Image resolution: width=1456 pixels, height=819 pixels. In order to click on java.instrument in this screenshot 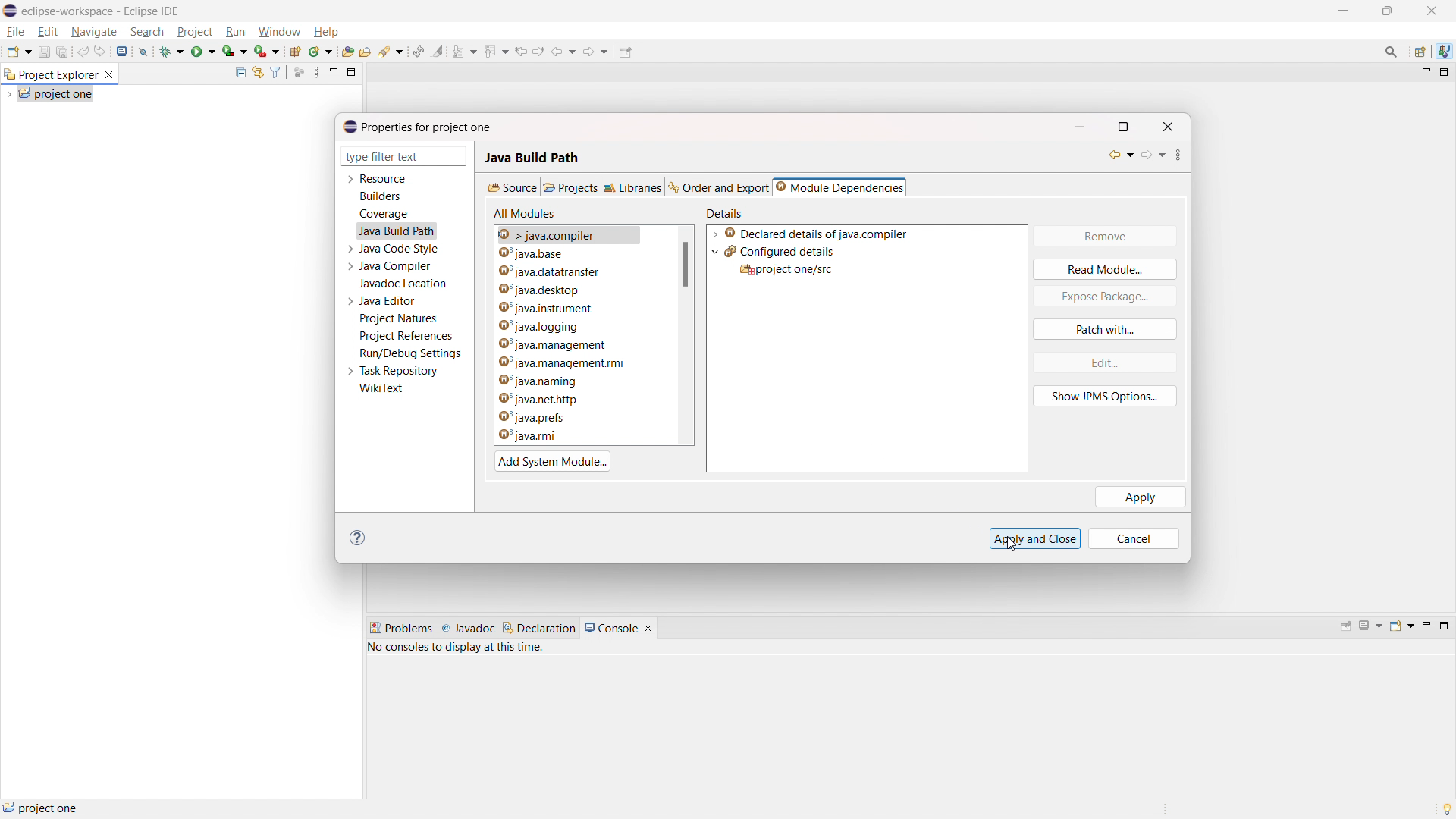, I will do `click(575, 307)`.